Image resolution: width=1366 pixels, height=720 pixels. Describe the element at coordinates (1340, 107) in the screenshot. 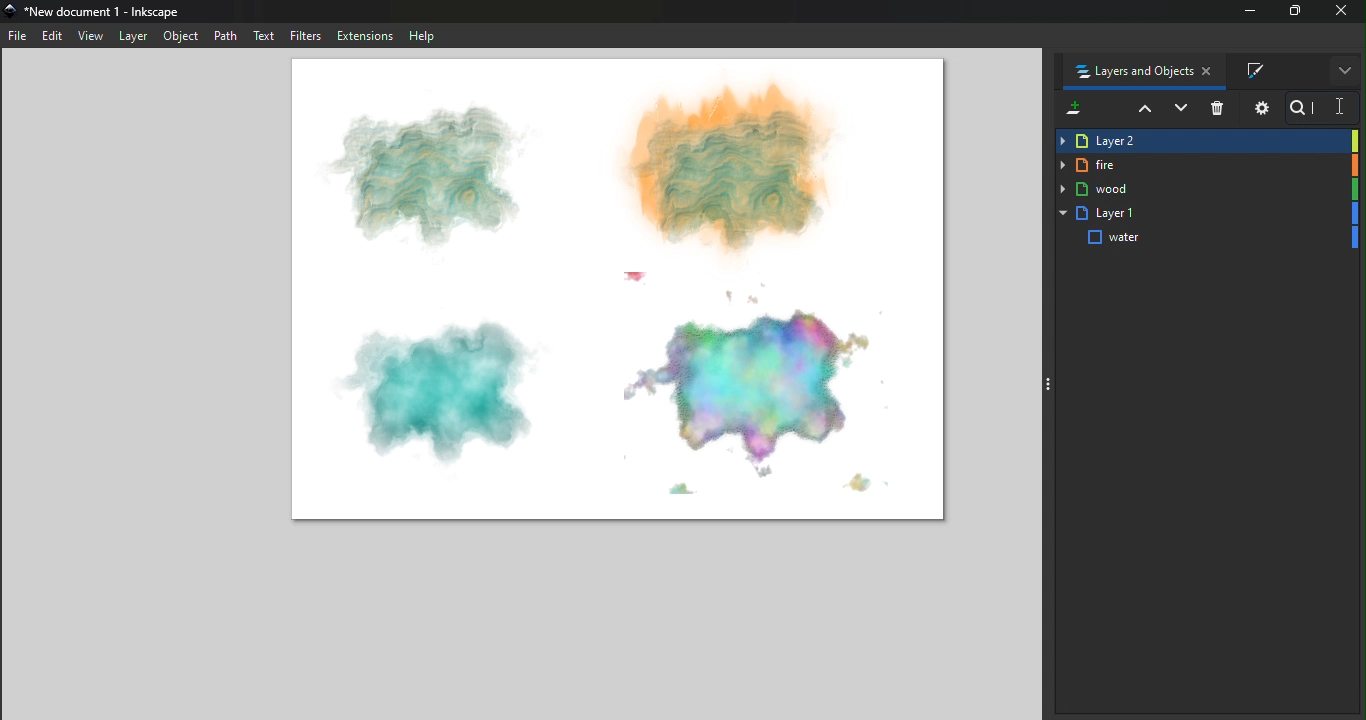

I see `cursor` at that location.